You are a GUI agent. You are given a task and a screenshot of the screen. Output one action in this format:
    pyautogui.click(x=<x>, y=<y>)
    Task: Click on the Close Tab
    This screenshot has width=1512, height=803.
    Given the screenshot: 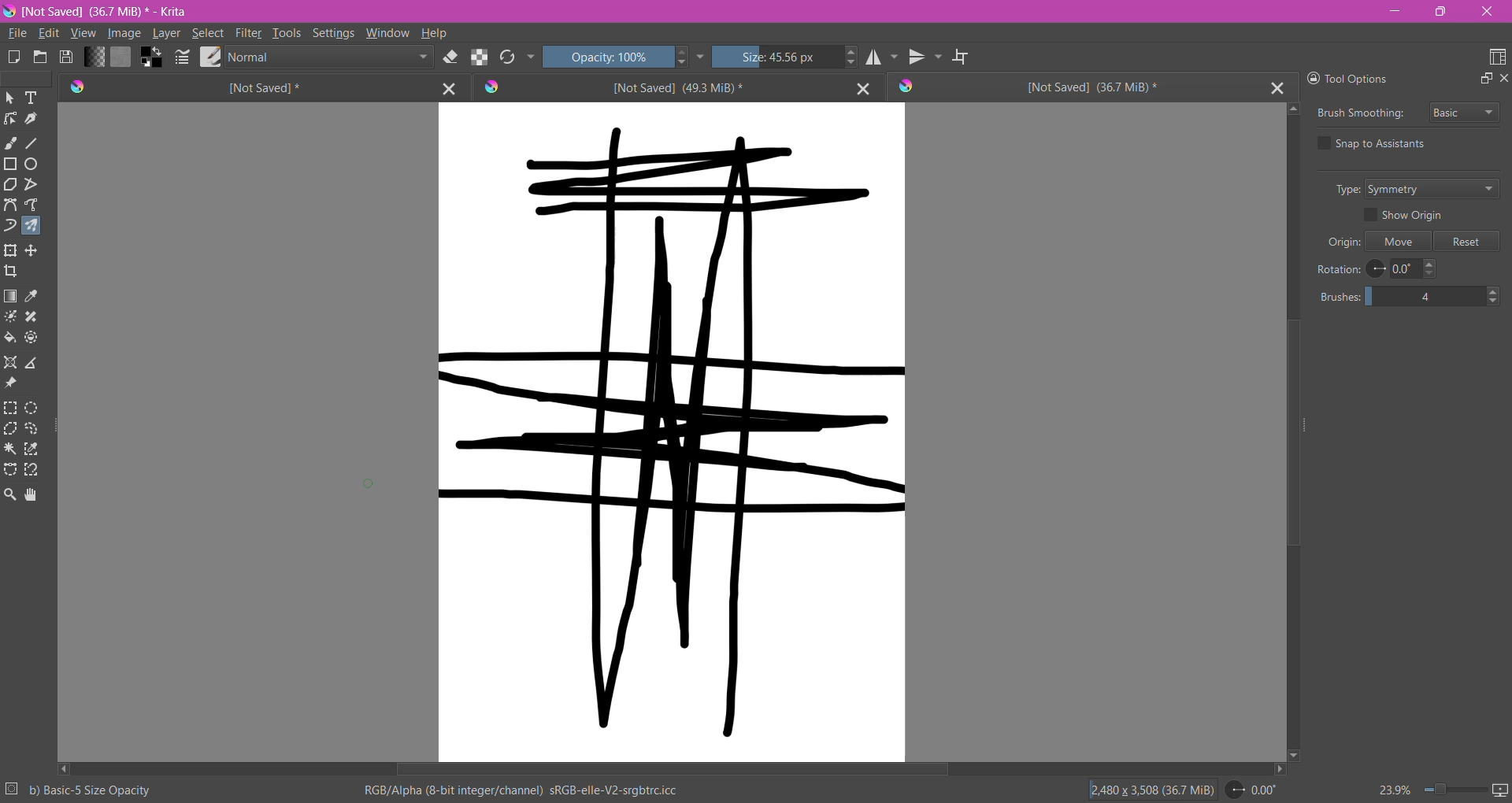 What is the action you would take?
    pyautogui.click(x=1278, y=87)
    